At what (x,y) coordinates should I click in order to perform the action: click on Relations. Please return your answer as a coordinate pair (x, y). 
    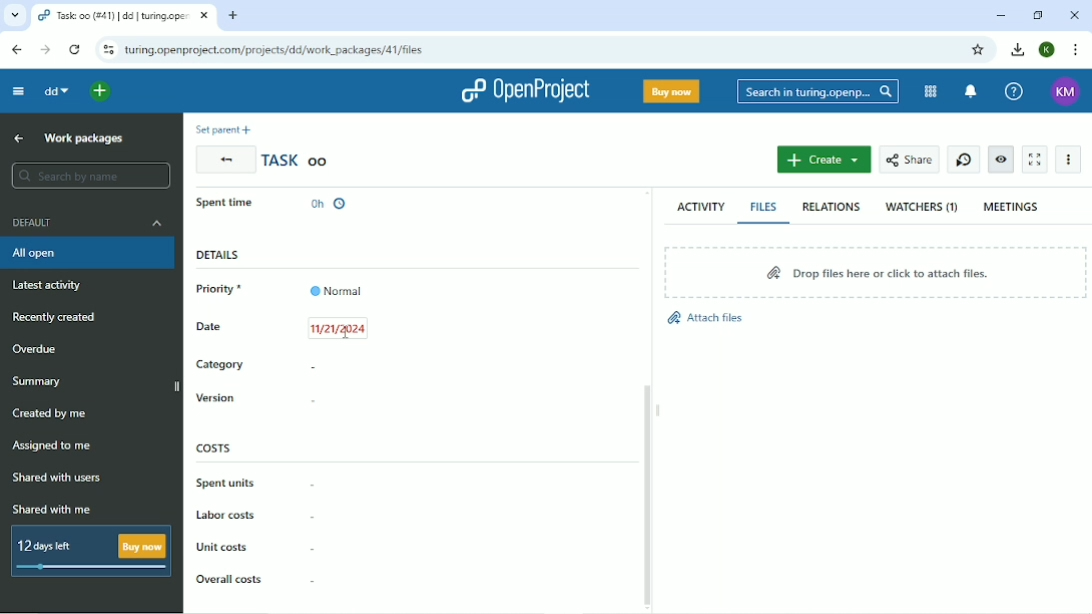
    Looking at the image, I should click on (834, 208).